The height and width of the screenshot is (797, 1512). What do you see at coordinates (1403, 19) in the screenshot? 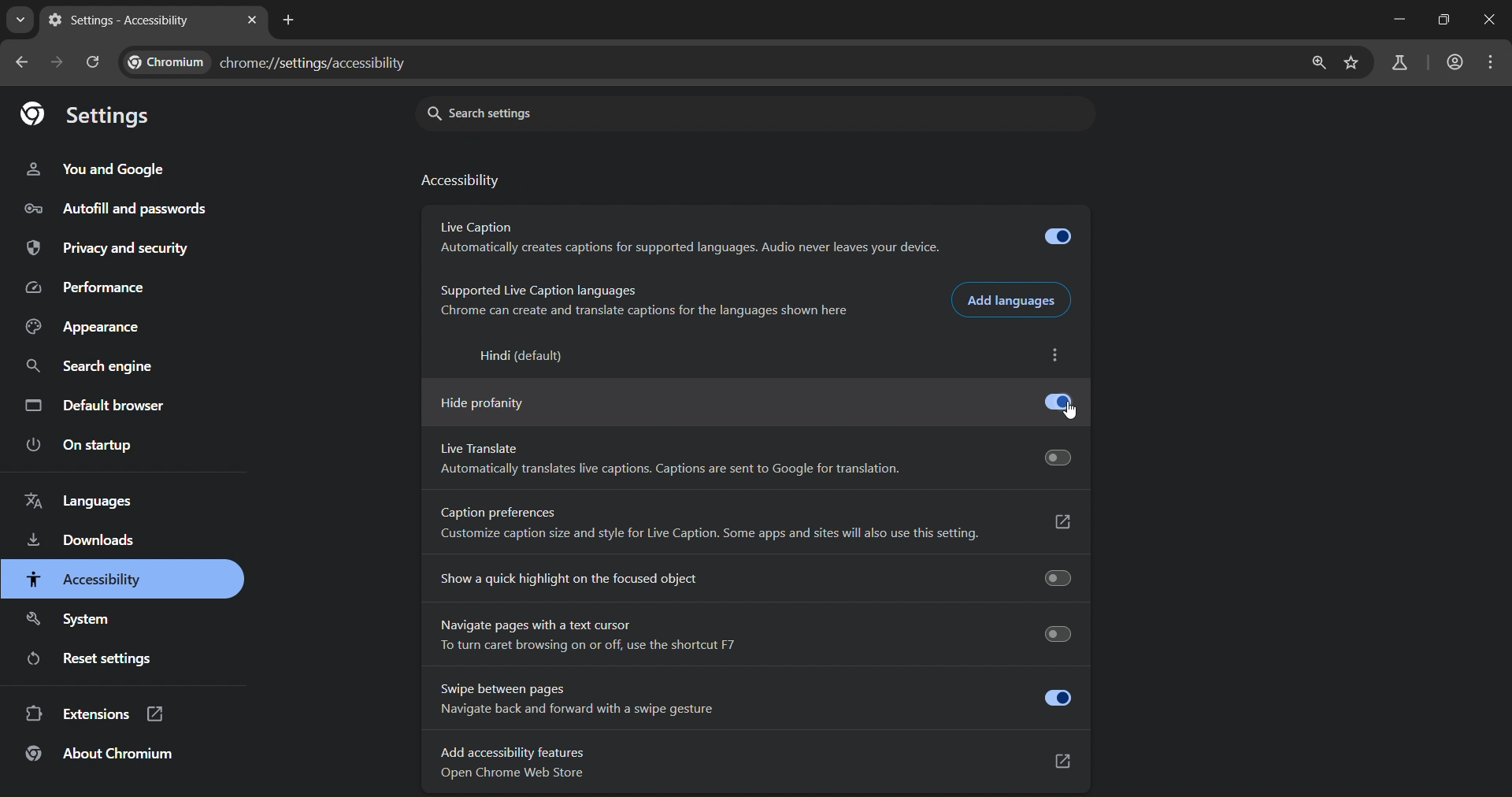
I see `minimize` at bounding box center [1403, 19].